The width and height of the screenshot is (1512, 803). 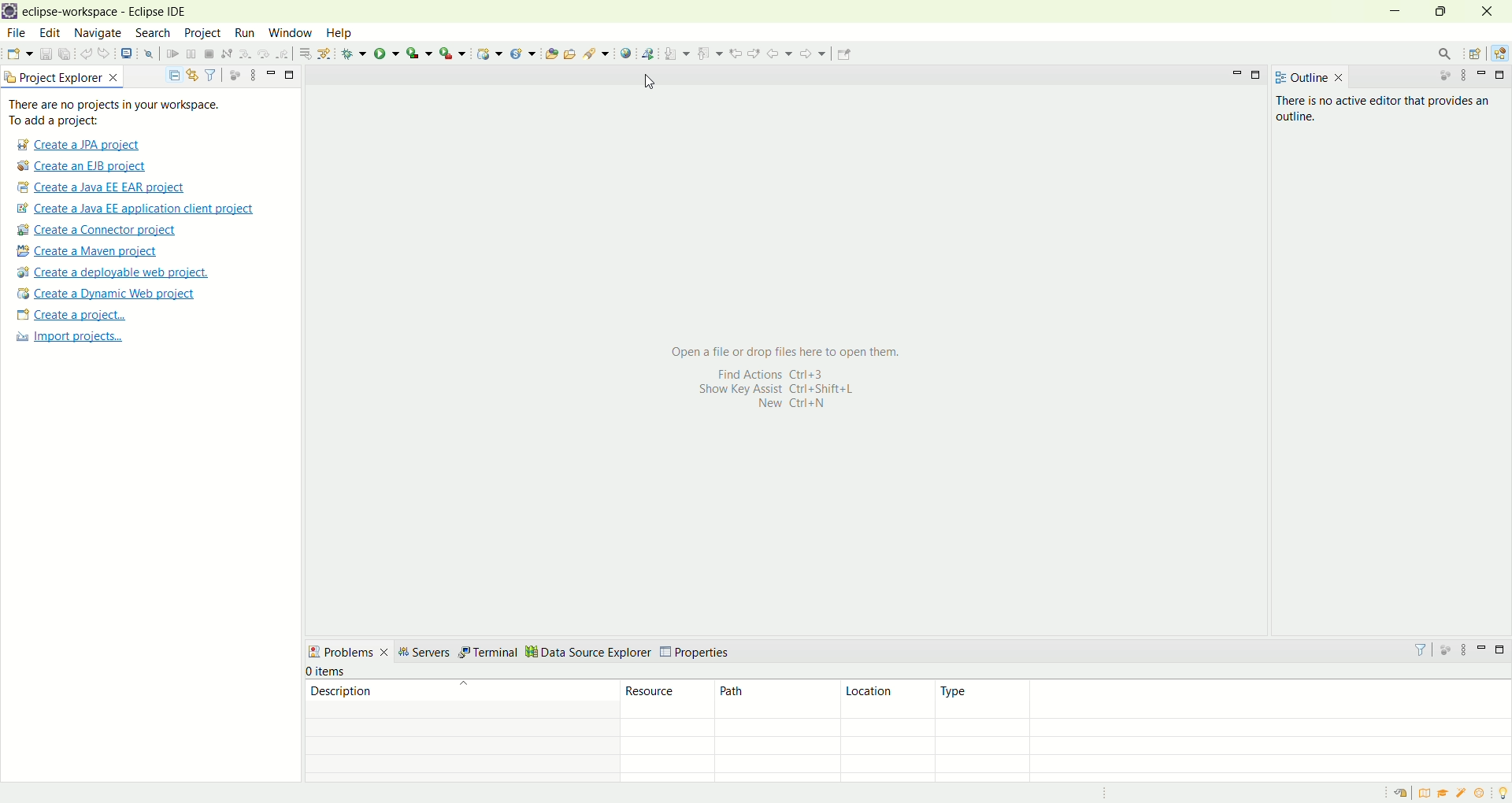 What do you see at coordinates (264, 53) in the screenshot?
I see `step over` at bounding box center [264, 53].